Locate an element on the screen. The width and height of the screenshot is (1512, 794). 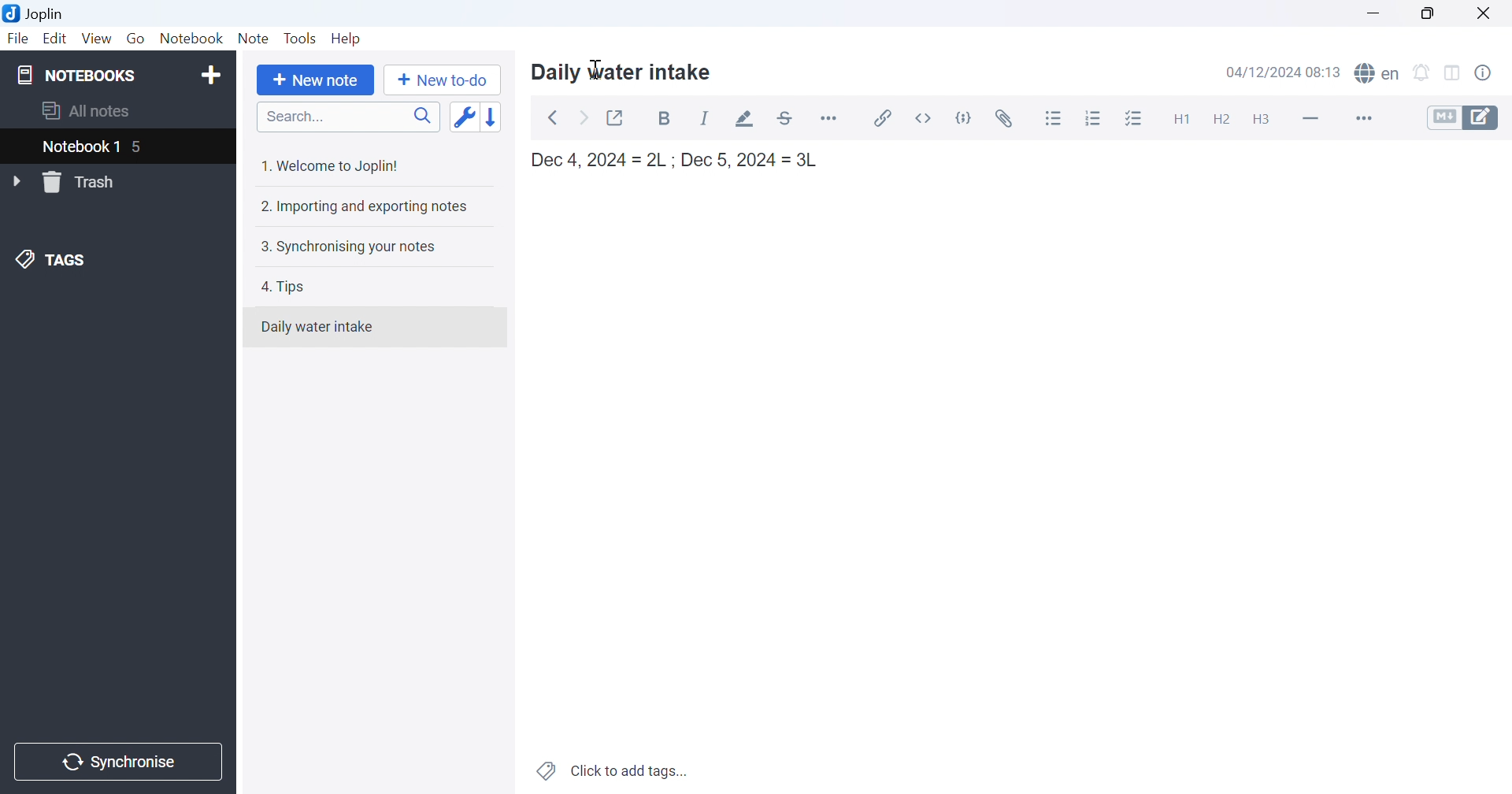
3. Synchronising your notes is located at coordinates (352, 245).